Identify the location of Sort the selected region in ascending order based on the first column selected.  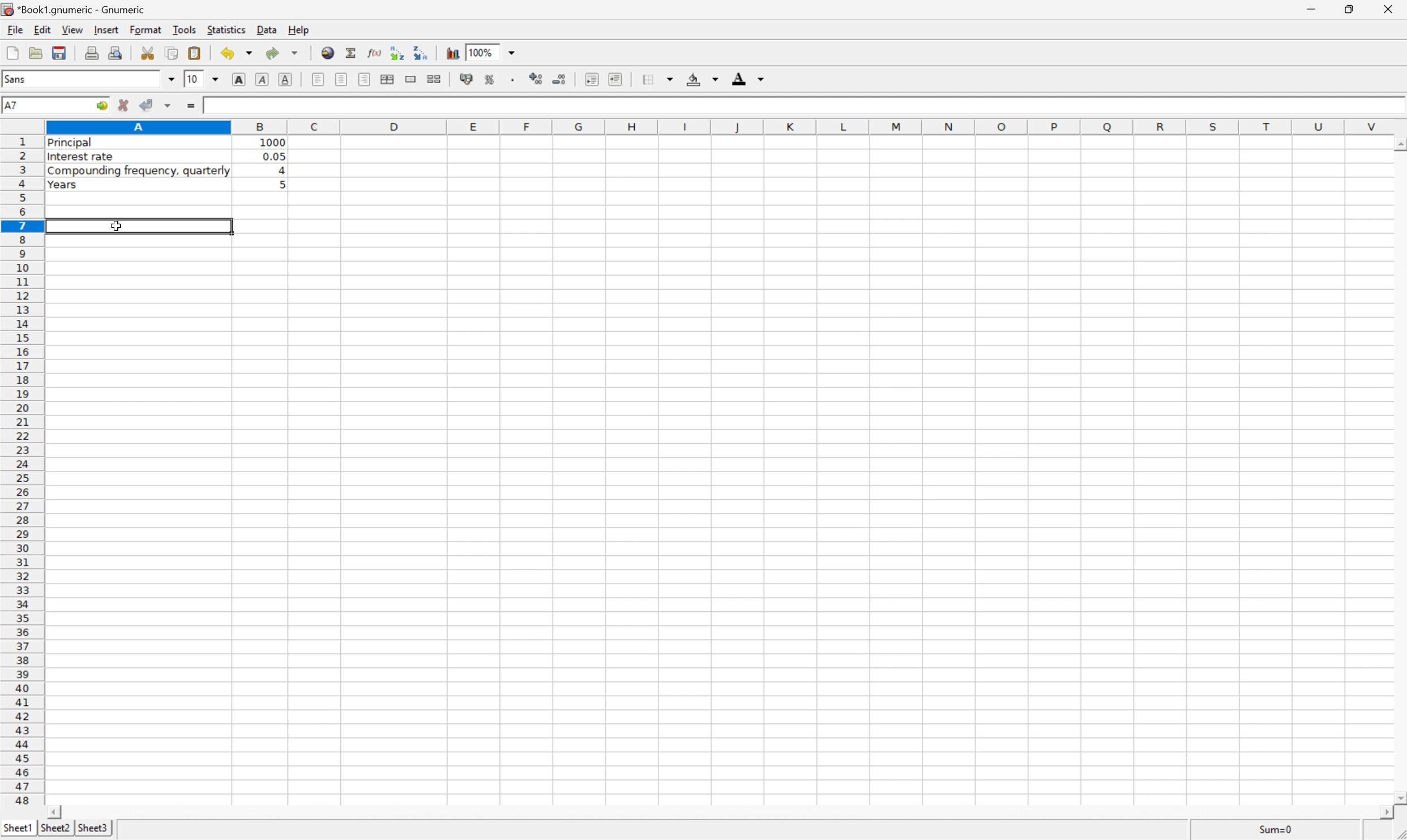
(399, 52).